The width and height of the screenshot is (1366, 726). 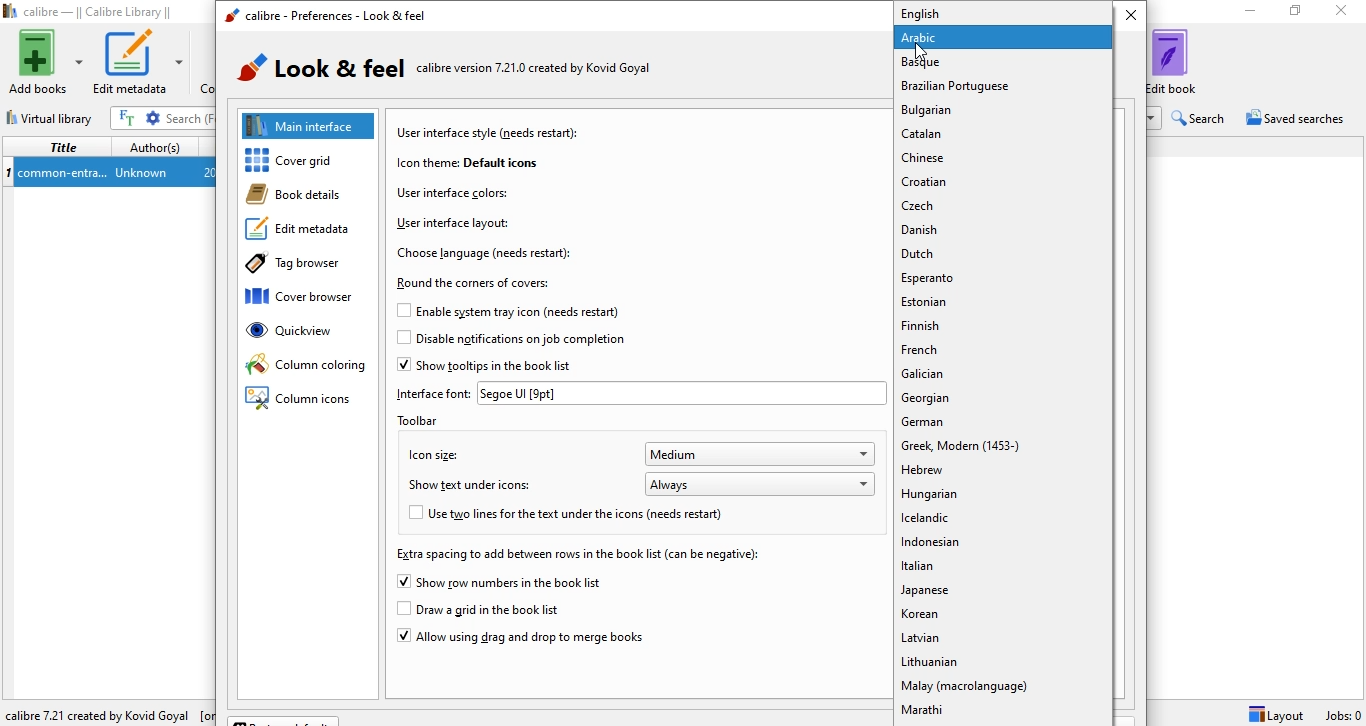 I want to click on toolbar, so click(x=428, y=420).